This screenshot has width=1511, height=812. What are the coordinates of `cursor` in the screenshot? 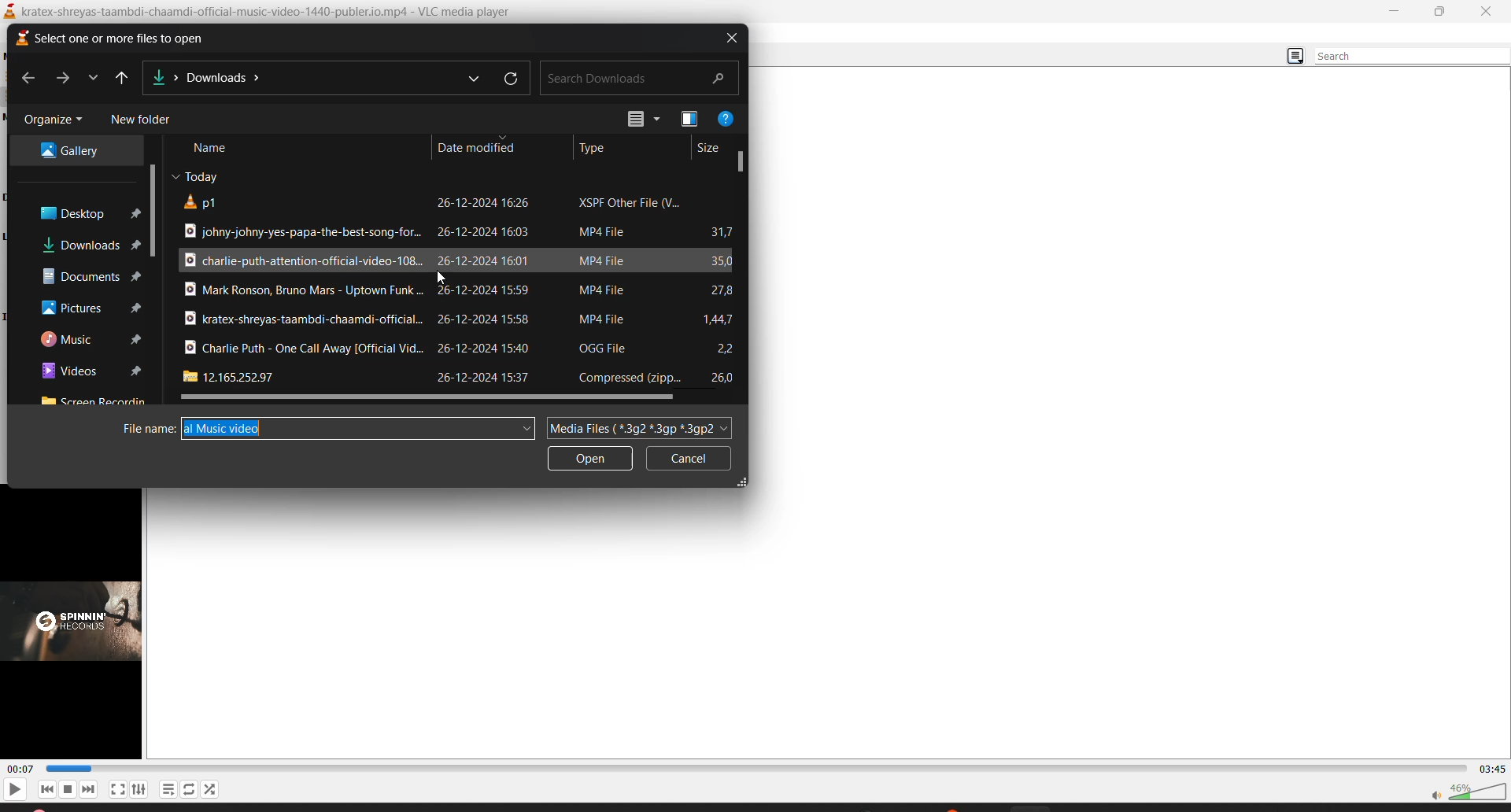 It's located at (442, 274).